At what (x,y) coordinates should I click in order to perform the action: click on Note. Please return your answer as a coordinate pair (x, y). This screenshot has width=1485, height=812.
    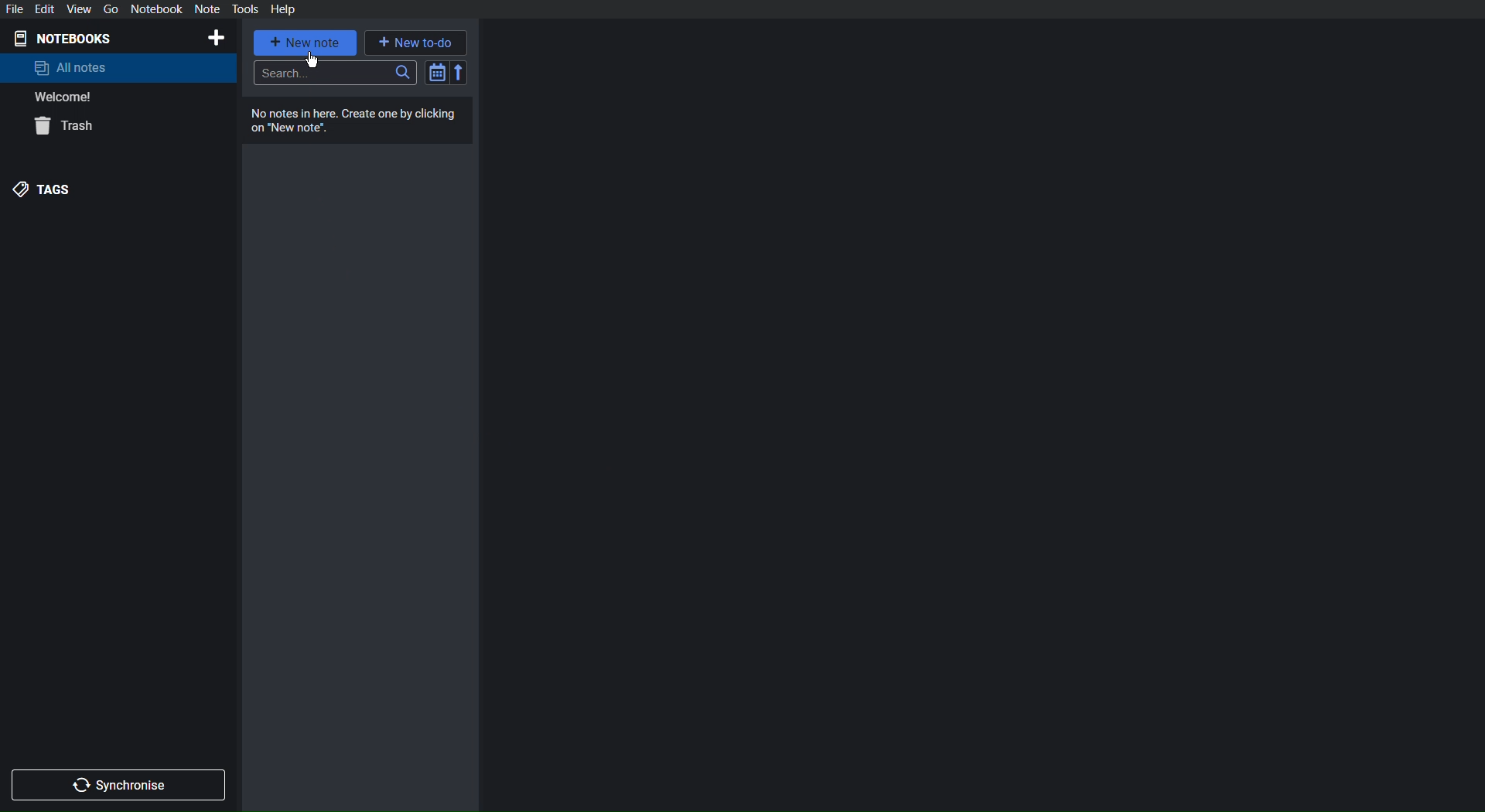
    Looking at the image, I should click on (207, 9).